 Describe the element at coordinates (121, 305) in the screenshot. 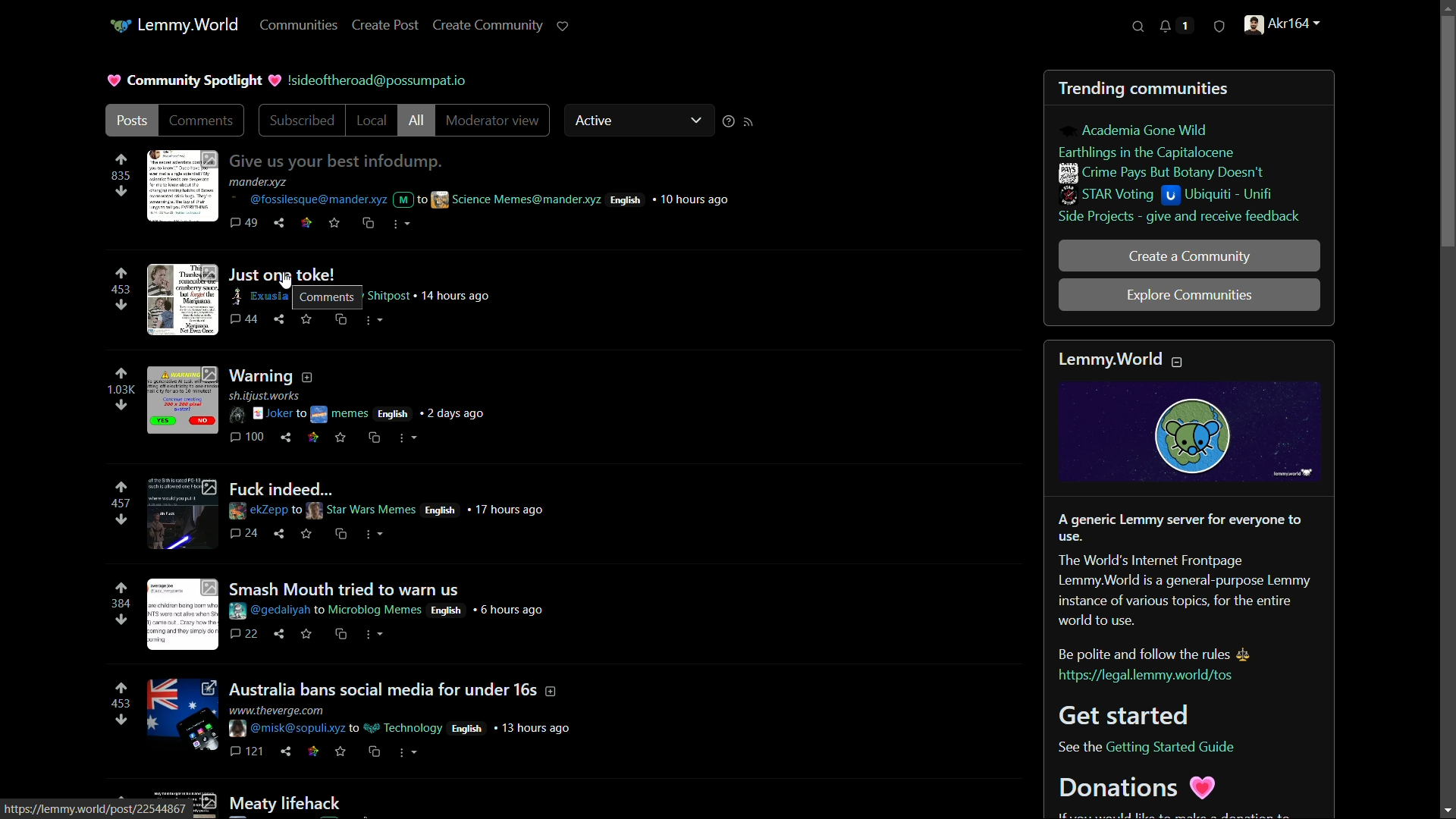

I see `downvote` at that location.